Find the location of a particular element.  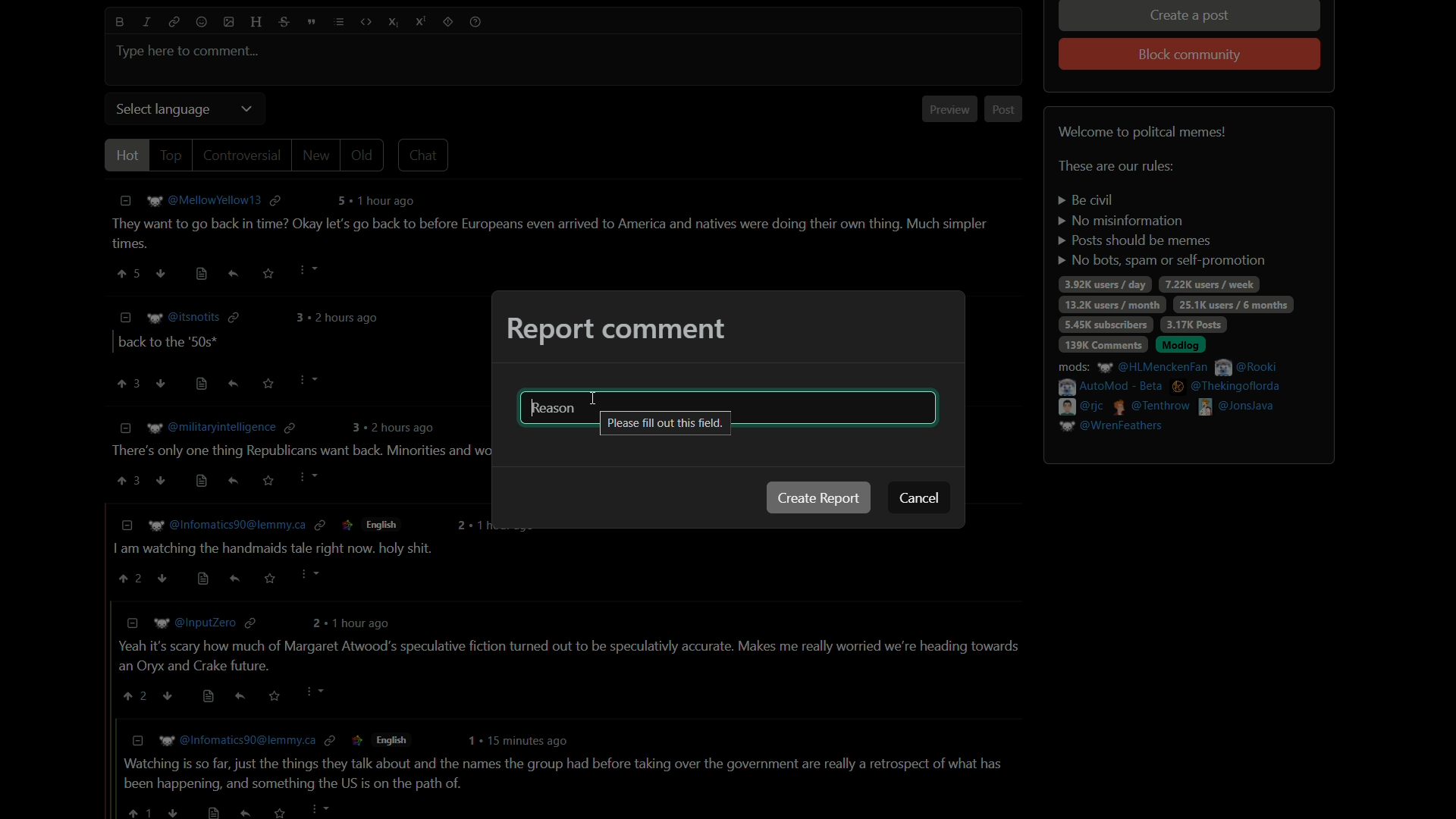

upvote is located at coordinates (128, 382).